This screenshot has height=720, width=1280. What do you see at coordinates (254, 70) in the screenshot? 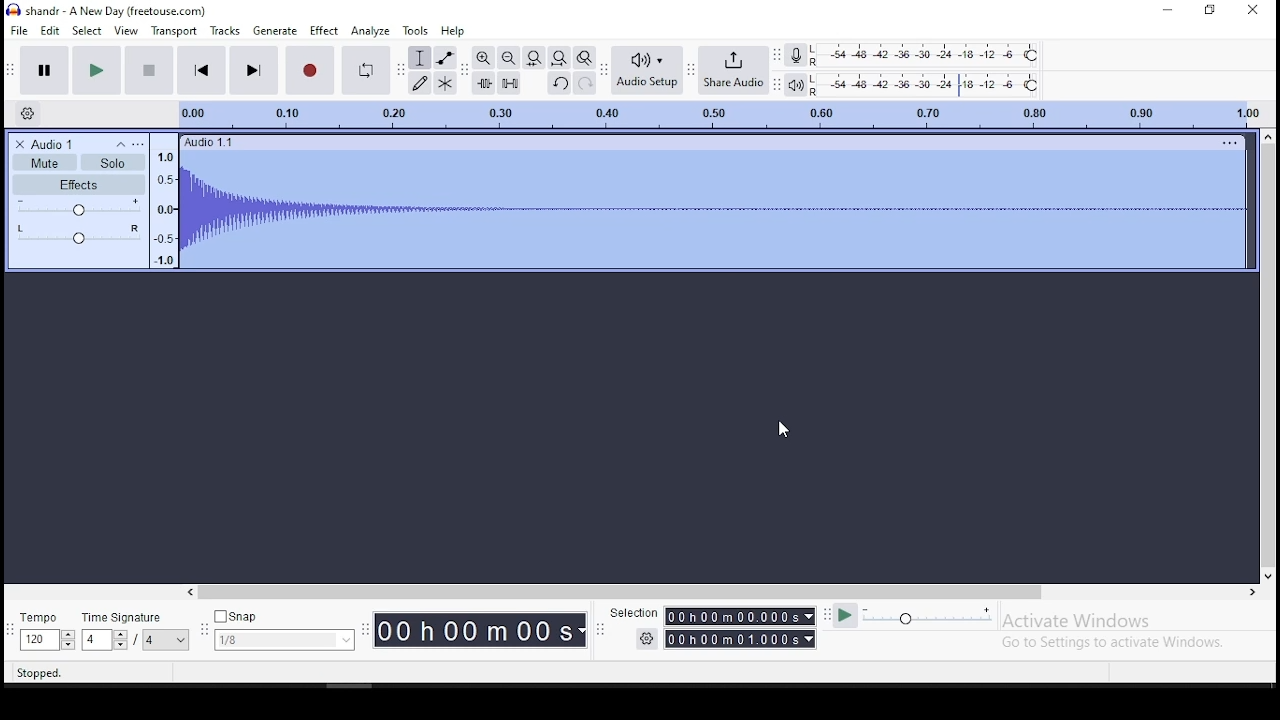
I see `skip to end` at bounding box center [254, 70].